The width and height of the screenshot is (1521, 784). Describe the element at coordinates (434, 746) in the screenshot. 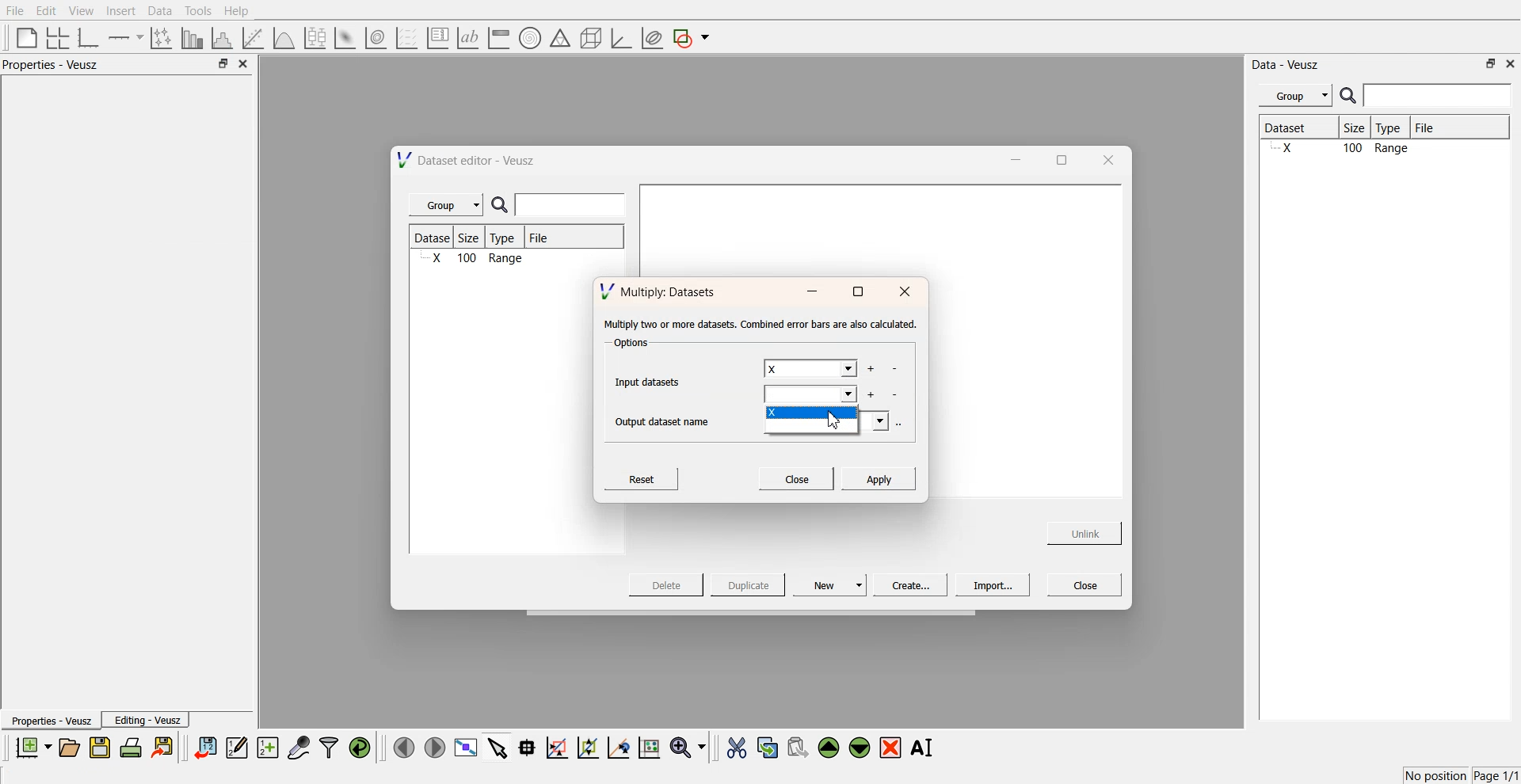

I see `move right` at that location.